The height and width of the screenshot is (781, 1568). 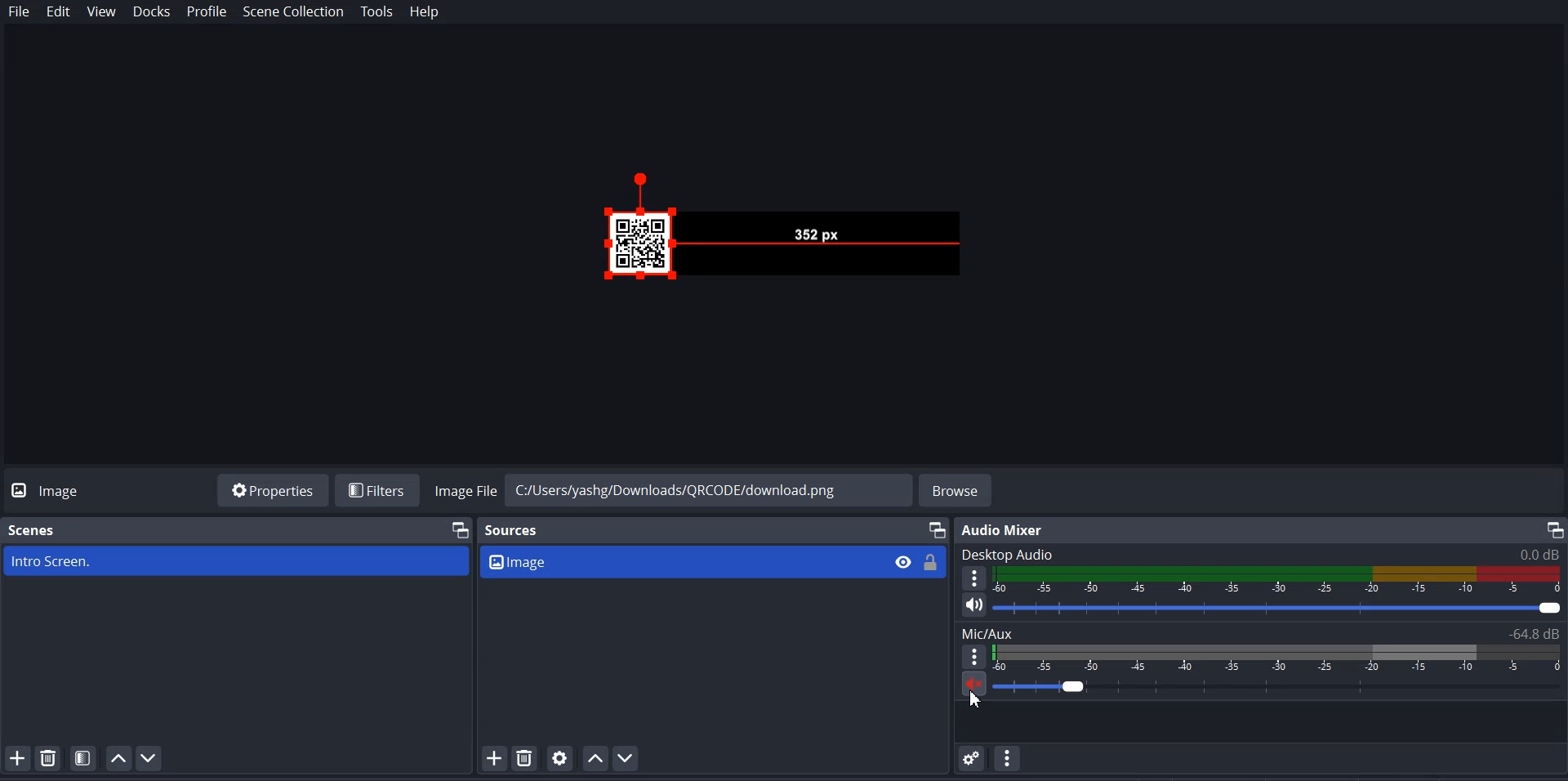 I want to click on Lock, so click(x=930, y=562).